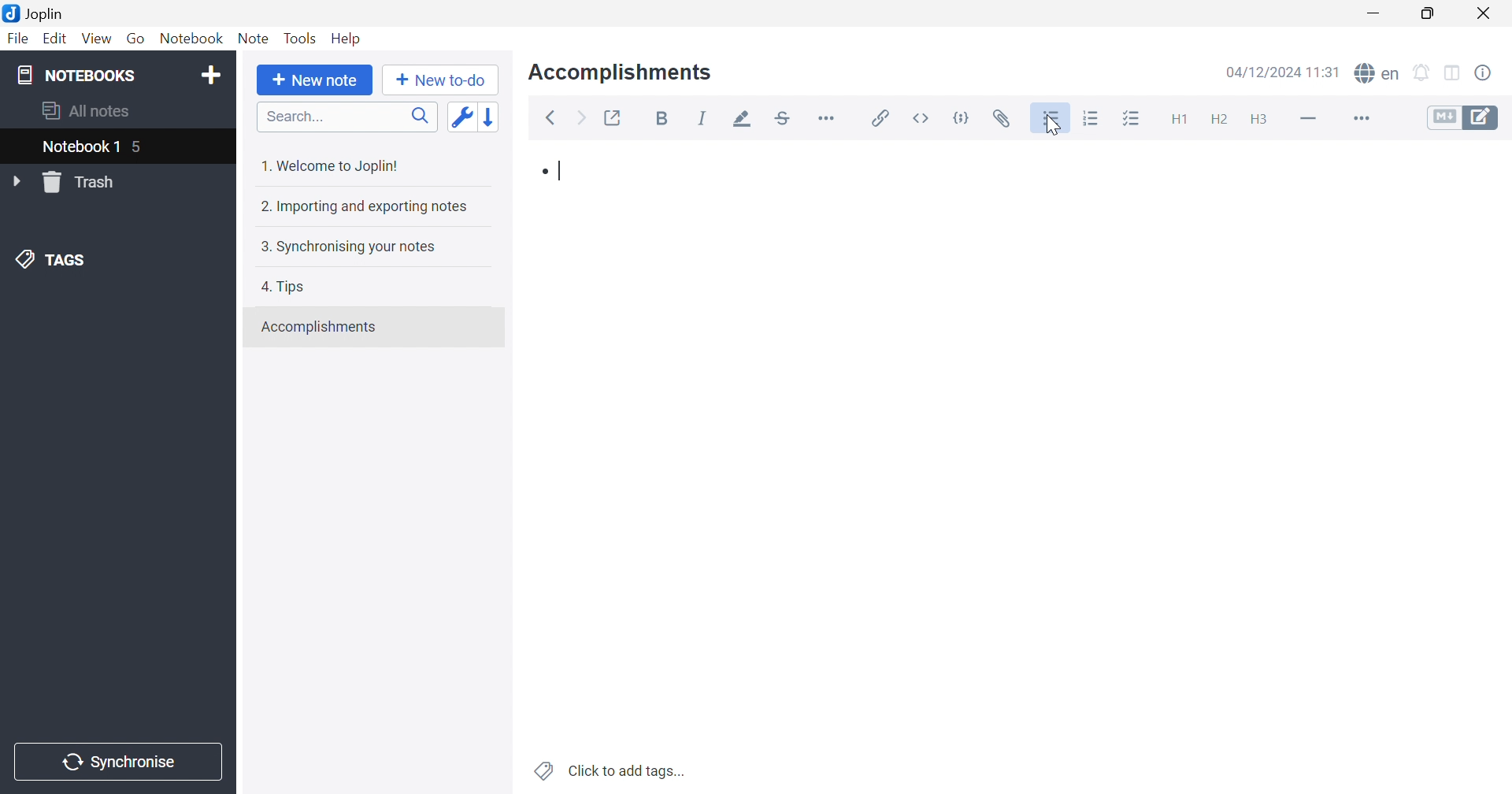 The width and height of the screenshot is (1512, 794). I want to click on Restore Down, so click(1429, 14).